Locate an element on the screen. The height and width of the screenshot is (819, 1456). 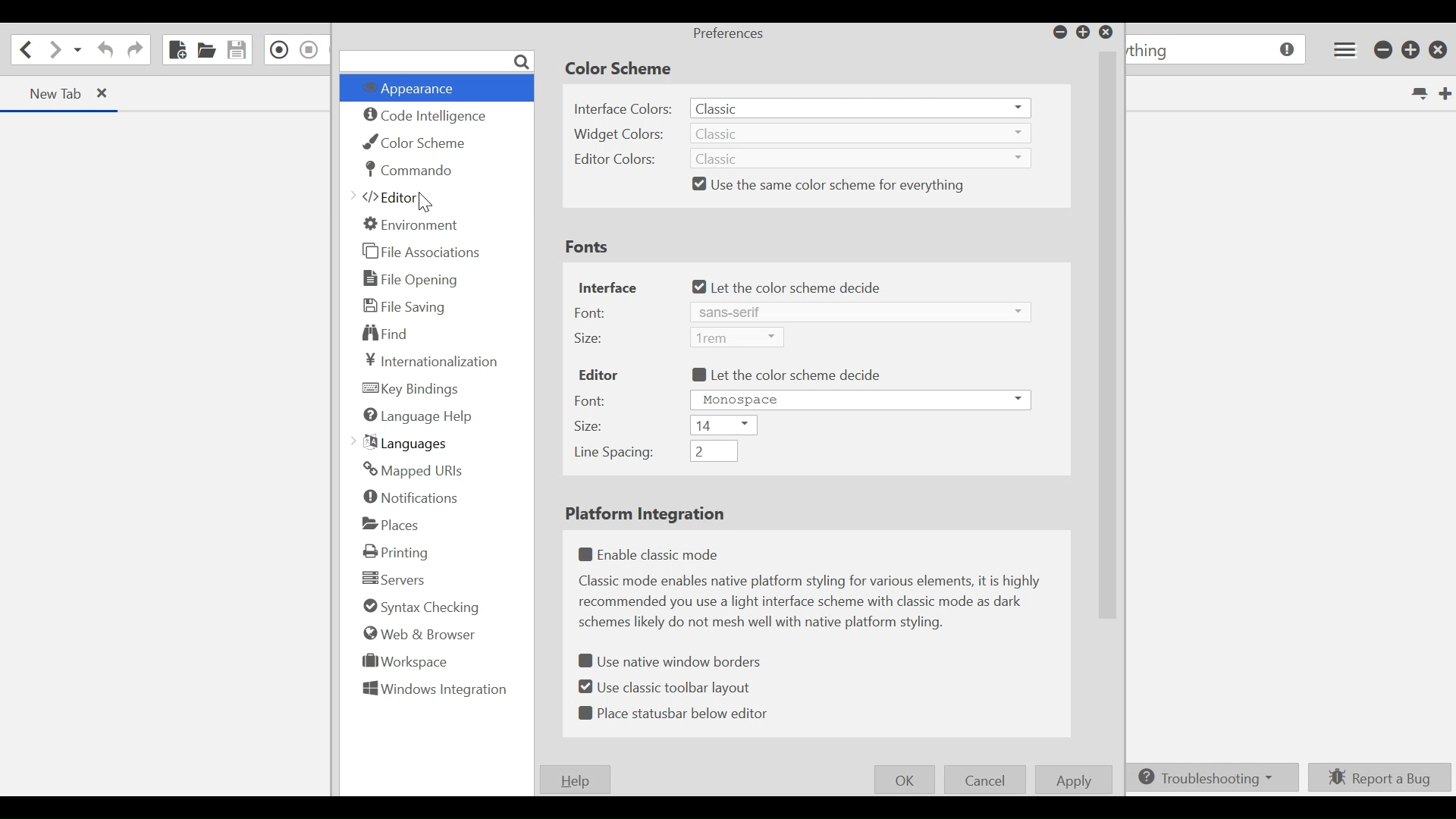
Color Scheme is located at coordinates (419, 143).